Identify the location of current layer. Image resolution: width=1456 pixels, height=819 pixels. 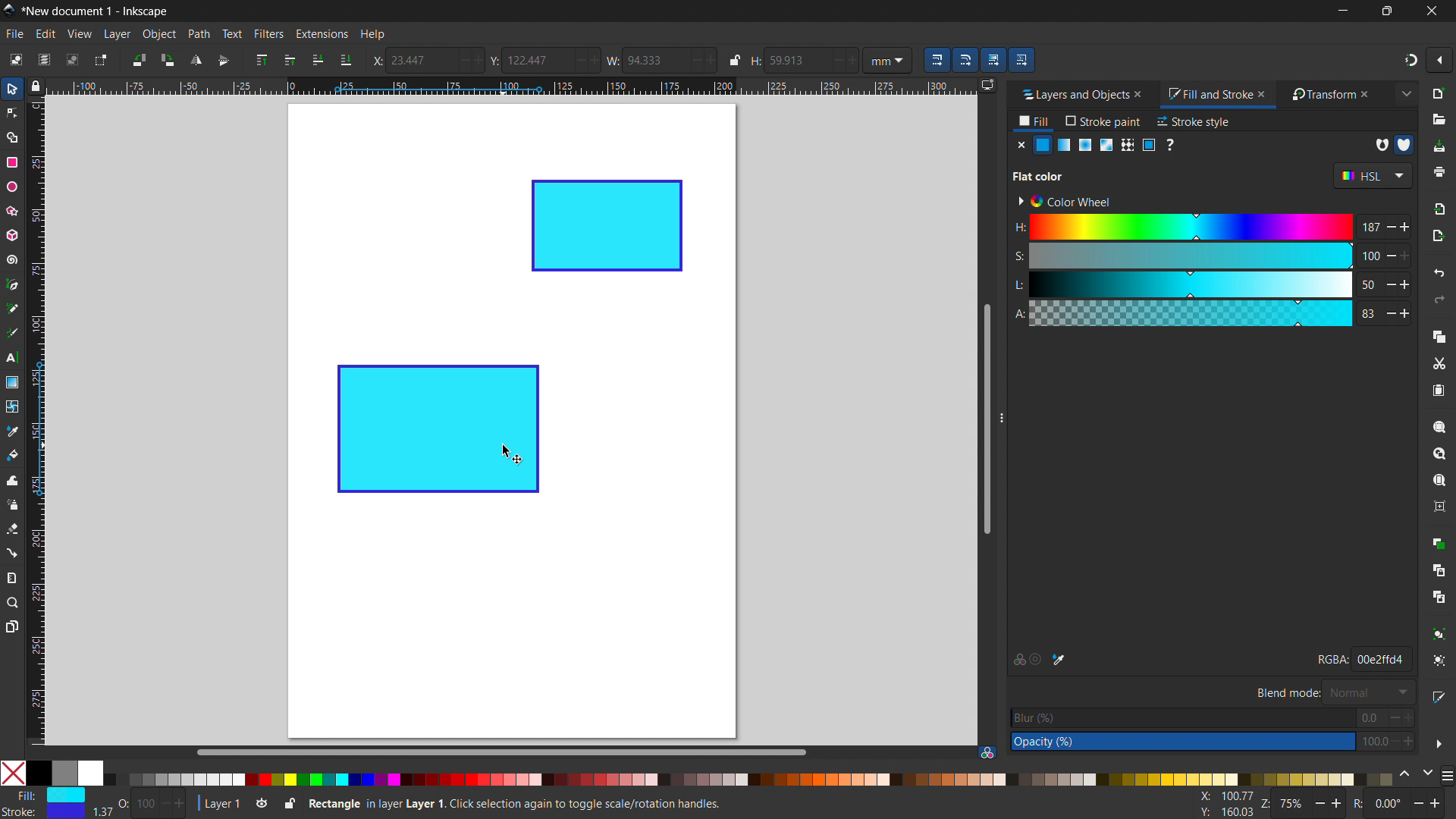
(218, 804).